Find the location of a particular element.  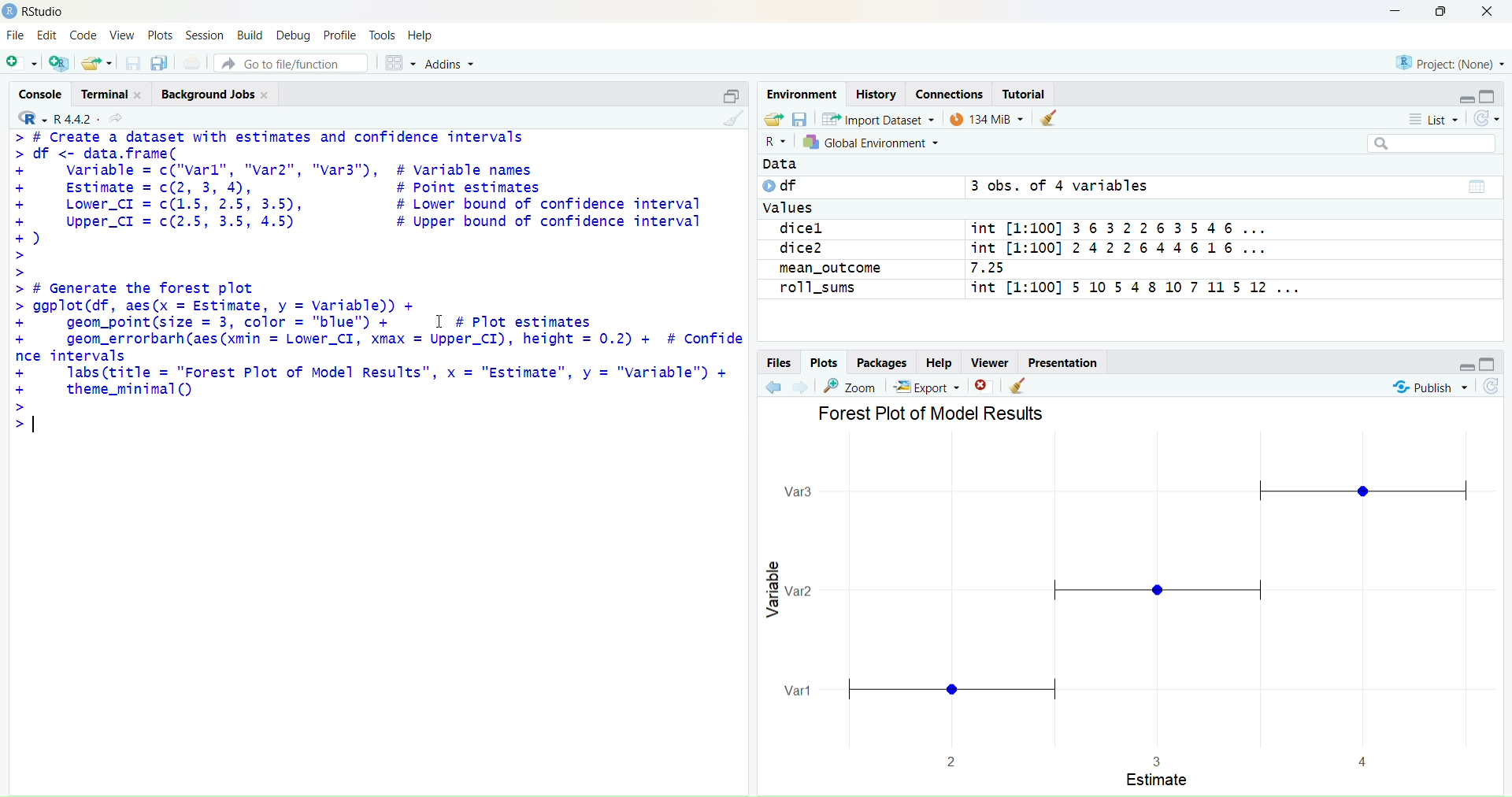

Tools is located at coordinates (384, 35).